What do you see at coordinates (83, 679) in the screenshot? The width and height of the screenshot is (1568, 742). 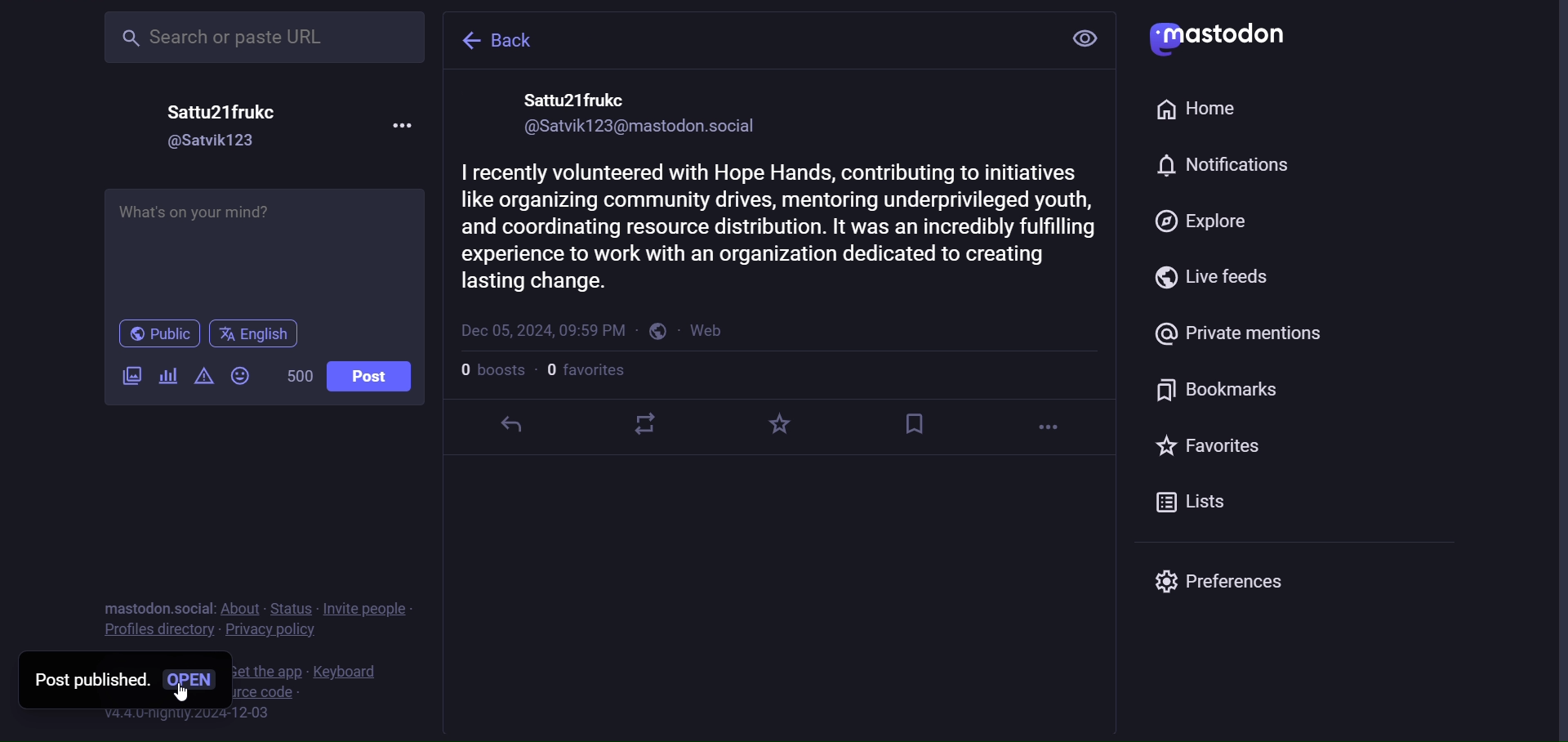 I see `post published` at bounding box center [83, 679].